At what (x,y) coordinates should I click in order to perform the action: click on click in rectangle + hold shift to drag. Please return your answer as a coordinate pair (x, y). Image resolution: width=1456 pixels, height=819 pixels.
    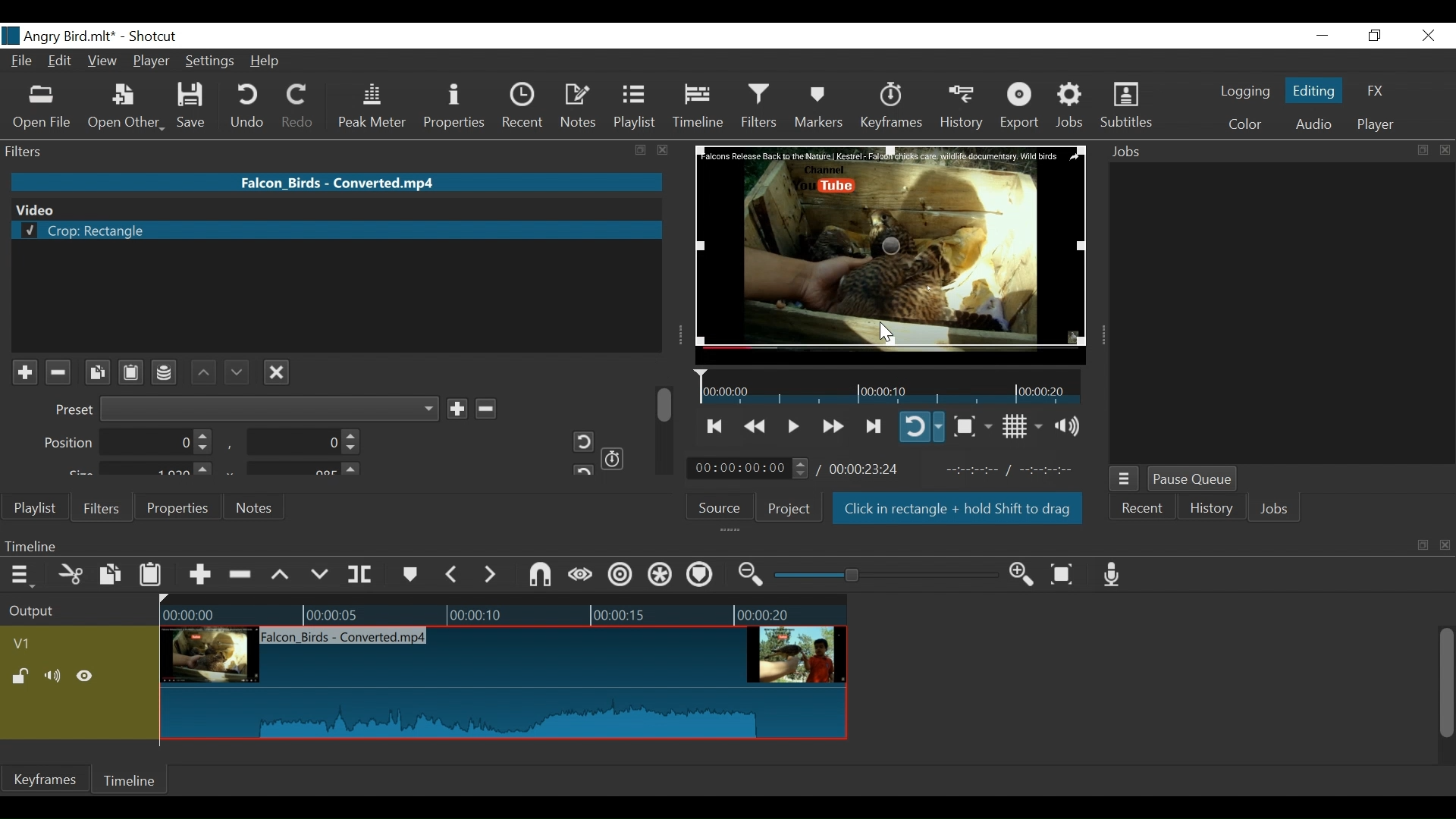
    Looking at the image, I should click on (959, 510).